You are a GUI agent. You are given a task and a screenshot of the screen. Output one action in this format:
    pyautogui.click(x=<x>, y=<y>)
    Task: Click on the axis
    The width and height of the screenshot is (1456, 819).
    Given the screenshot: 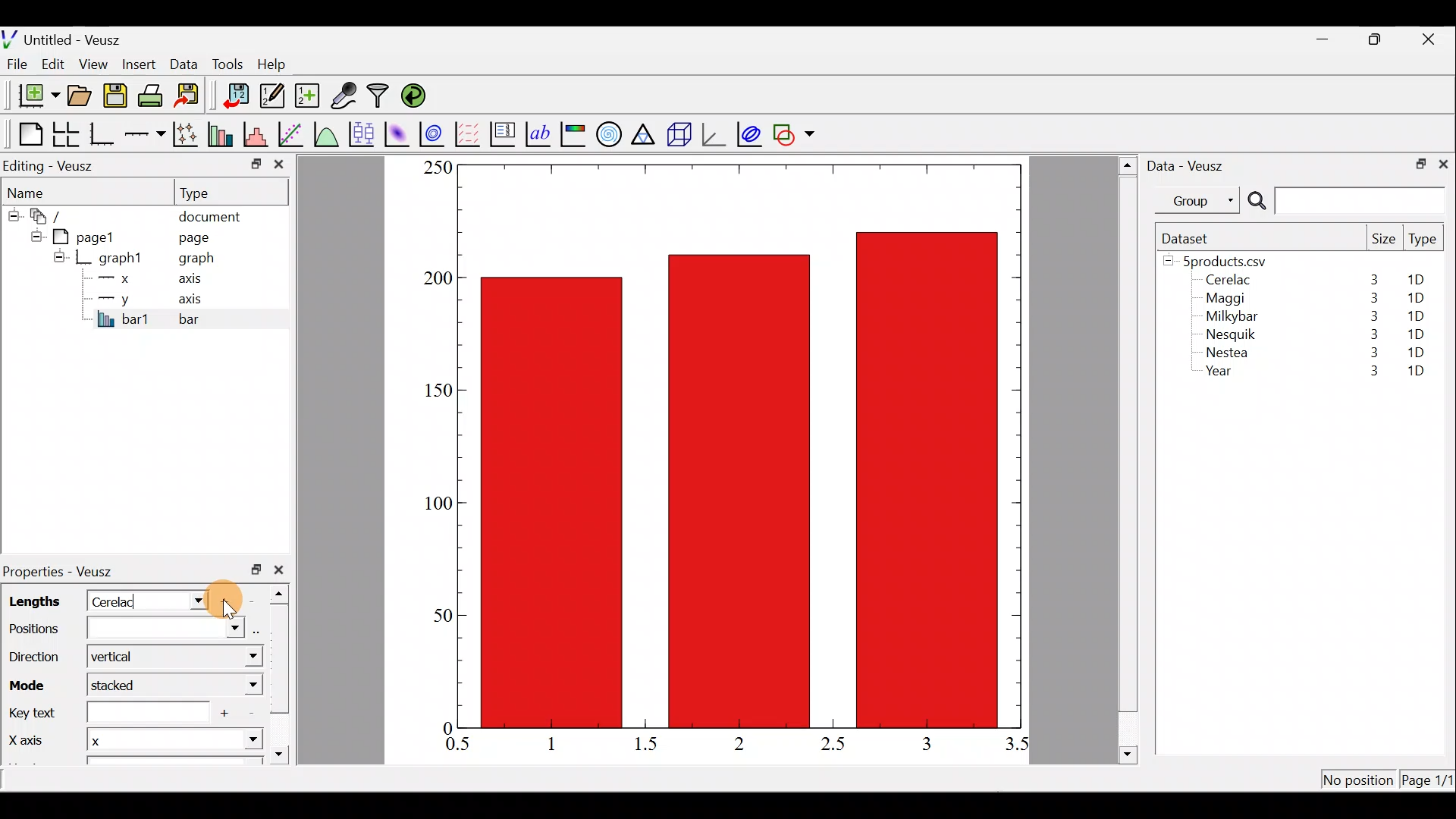 What is the action you would take?
    pyautogui.click(x=195, y=281)
    